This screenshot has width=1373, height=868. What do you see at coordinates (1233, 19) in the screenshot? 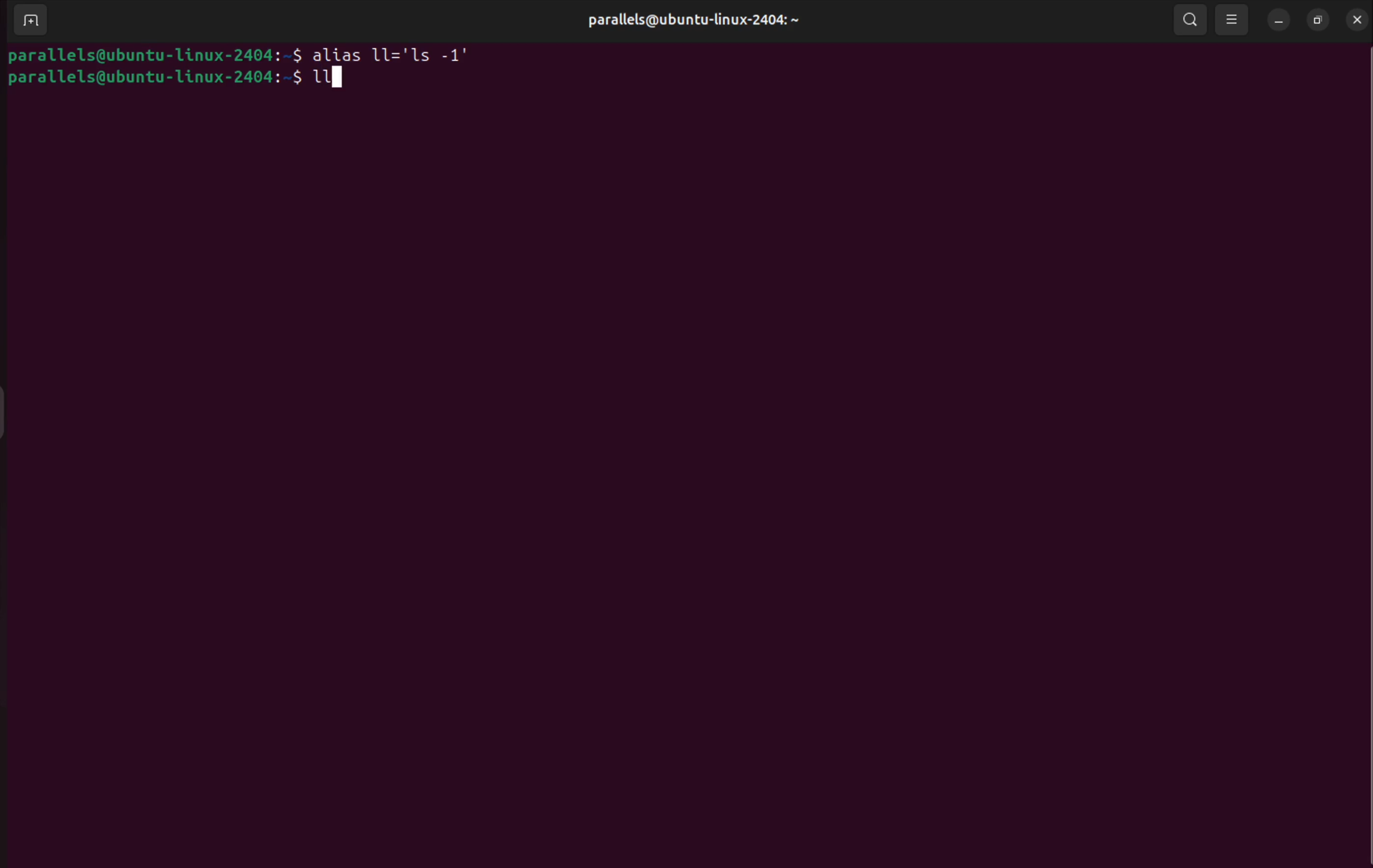
I see `view options` at bounding box center [1233, 19].